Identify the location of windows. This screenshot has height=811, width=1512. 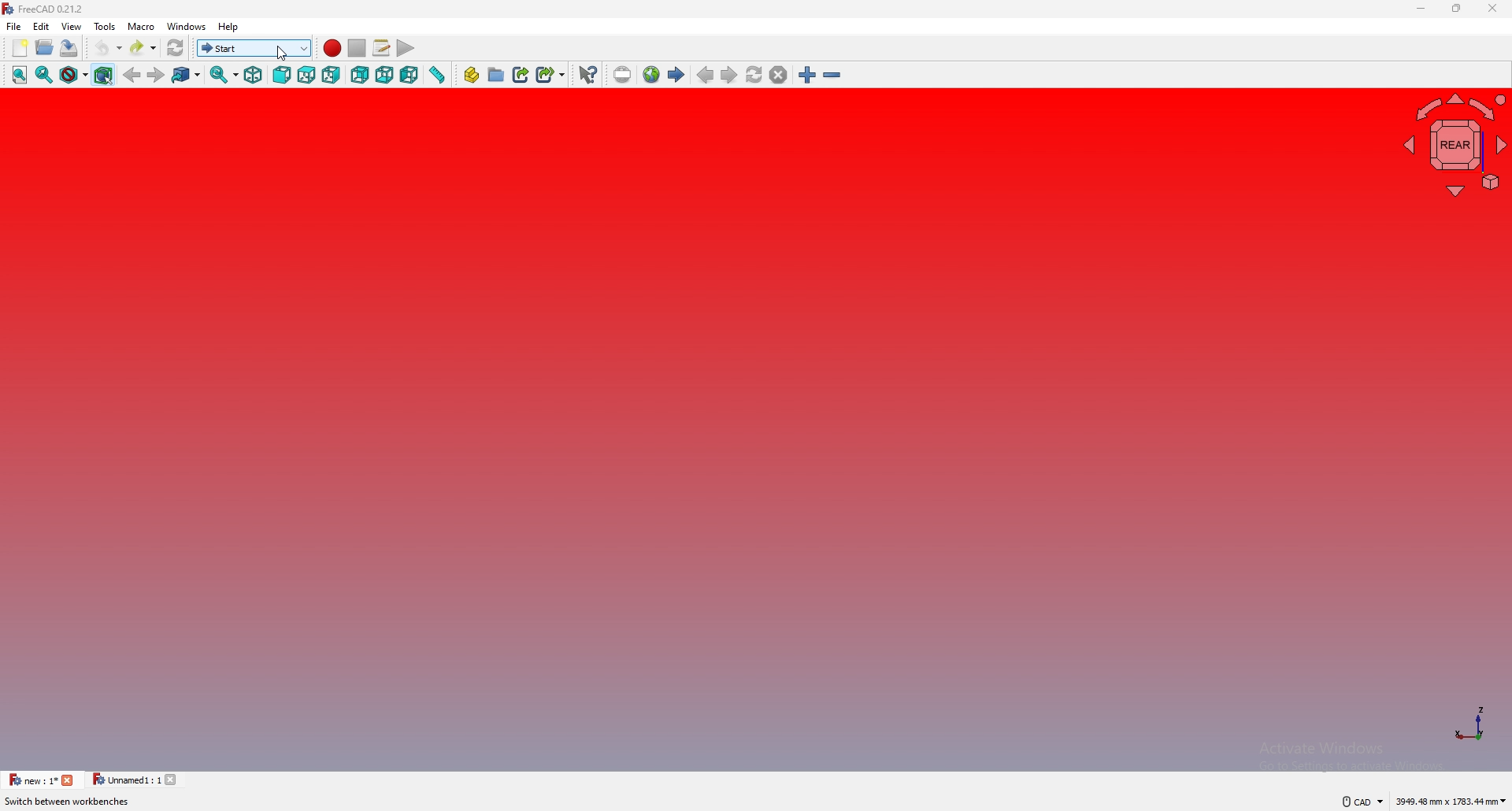
(187, 26).